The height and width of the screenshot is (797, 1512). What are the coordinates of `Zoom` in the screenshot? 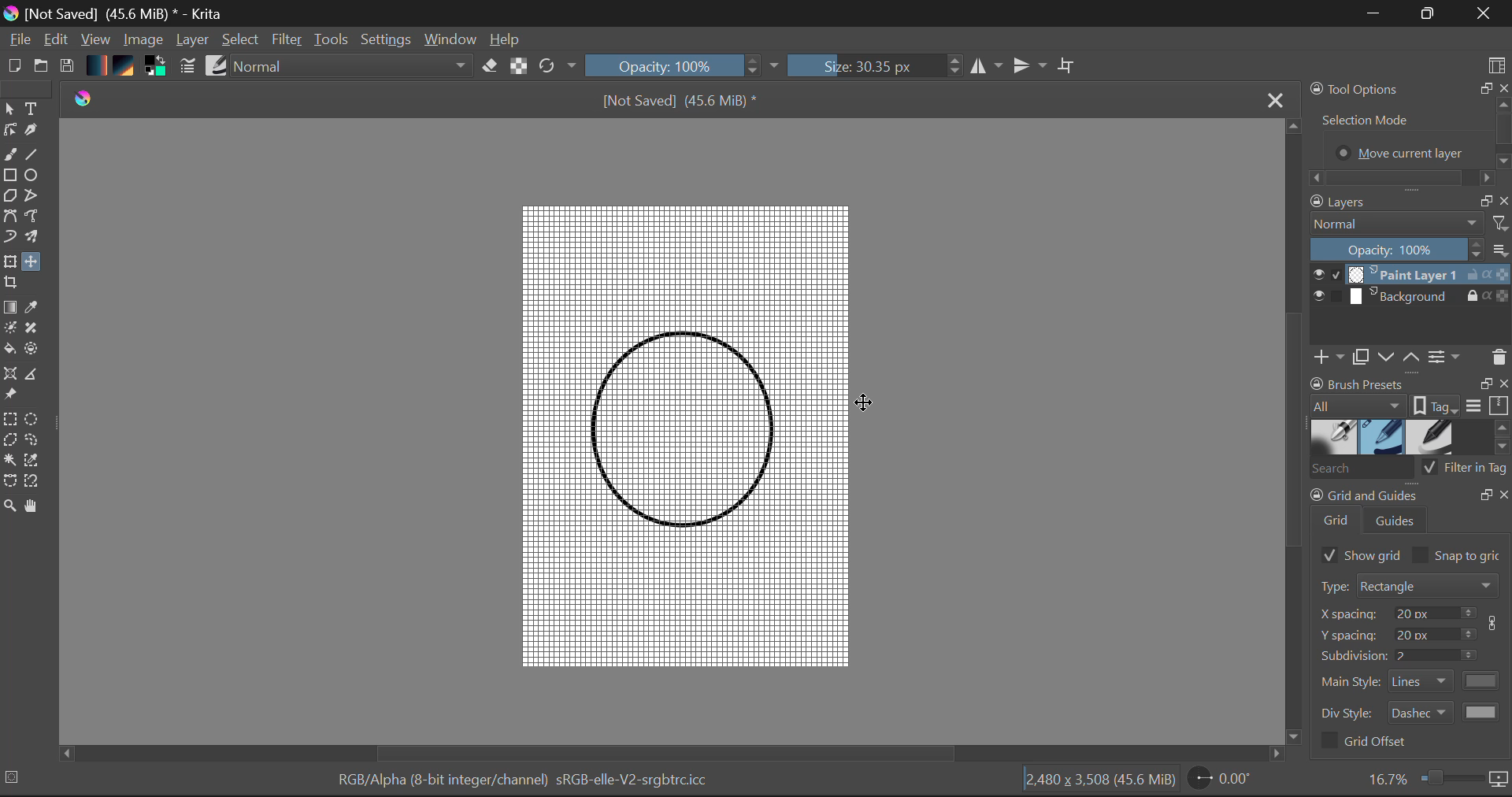 It's located at (1436, 780).